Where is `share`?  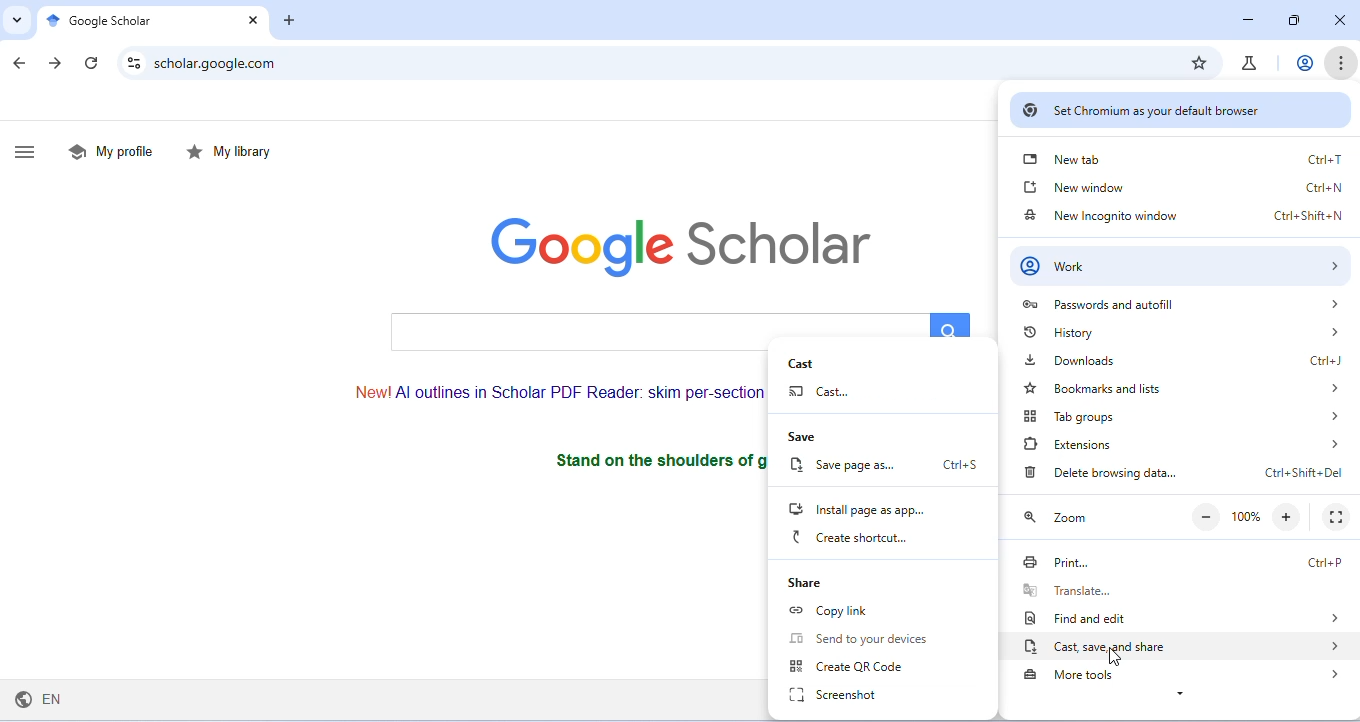 share is located at coordinates (814, 583).